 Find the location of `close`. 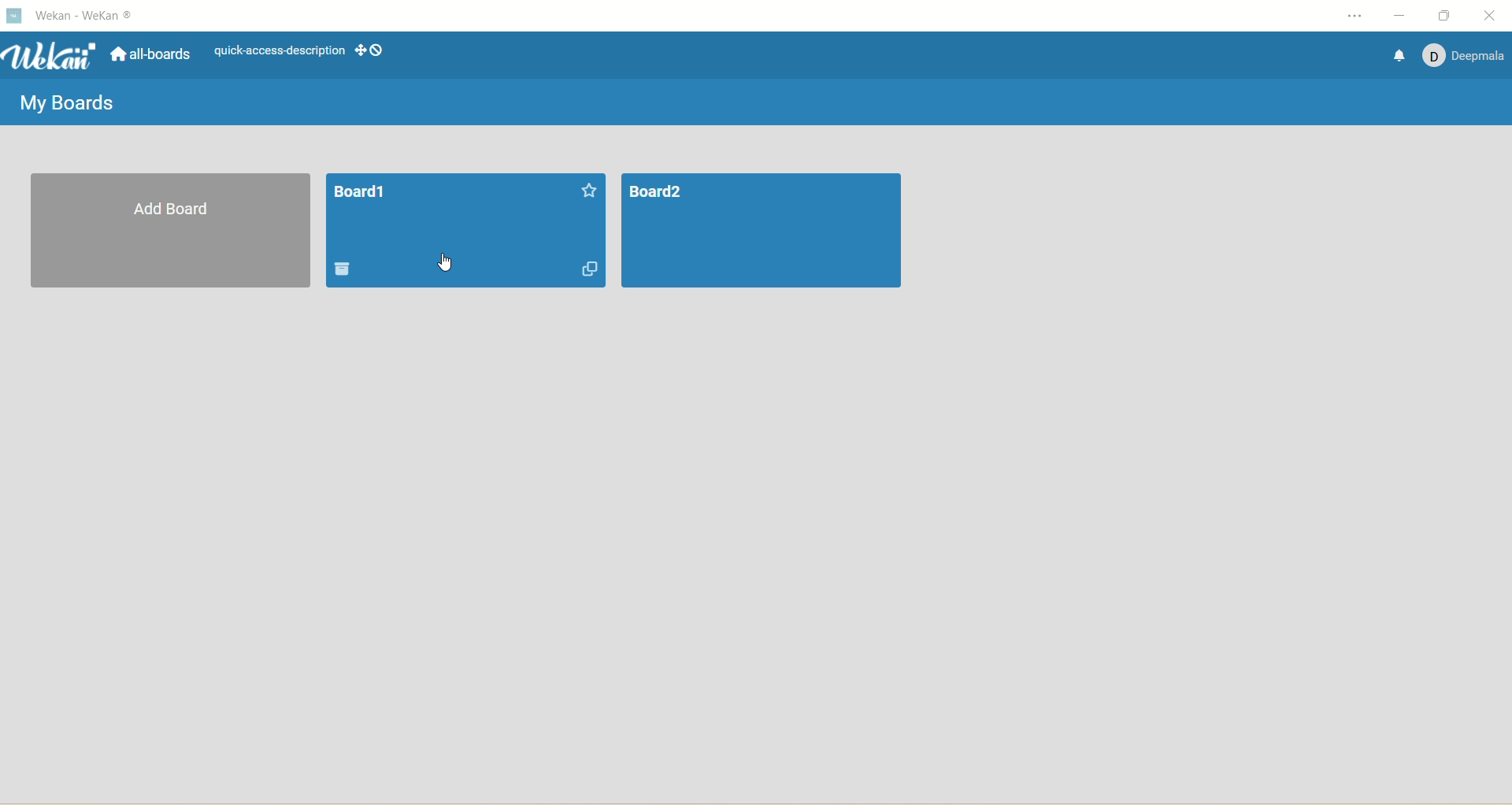

close is located at coordinates (1486, 18).